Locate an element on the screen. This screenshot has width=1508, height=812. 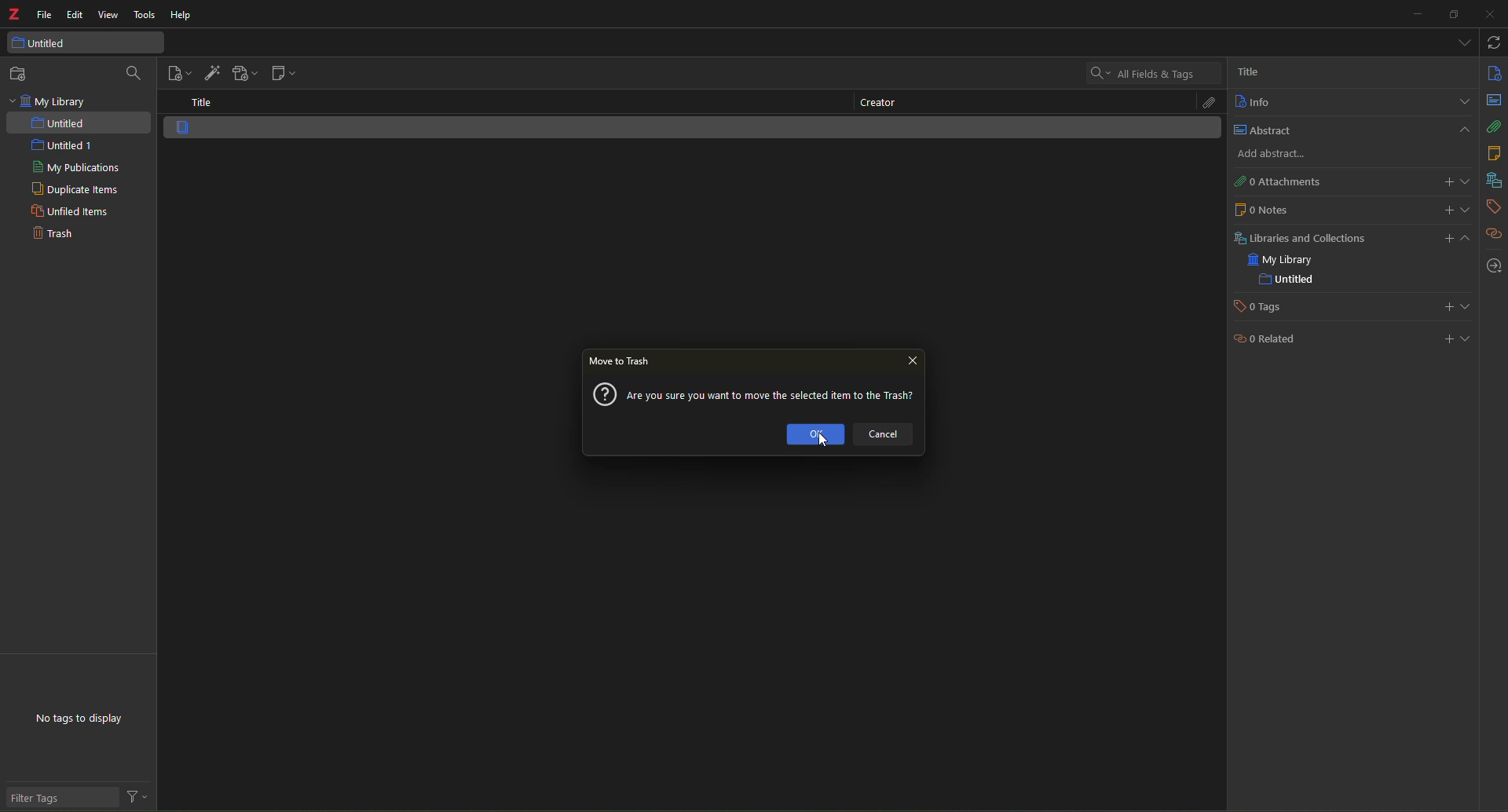
my library is located at coordinates (1284, 261).